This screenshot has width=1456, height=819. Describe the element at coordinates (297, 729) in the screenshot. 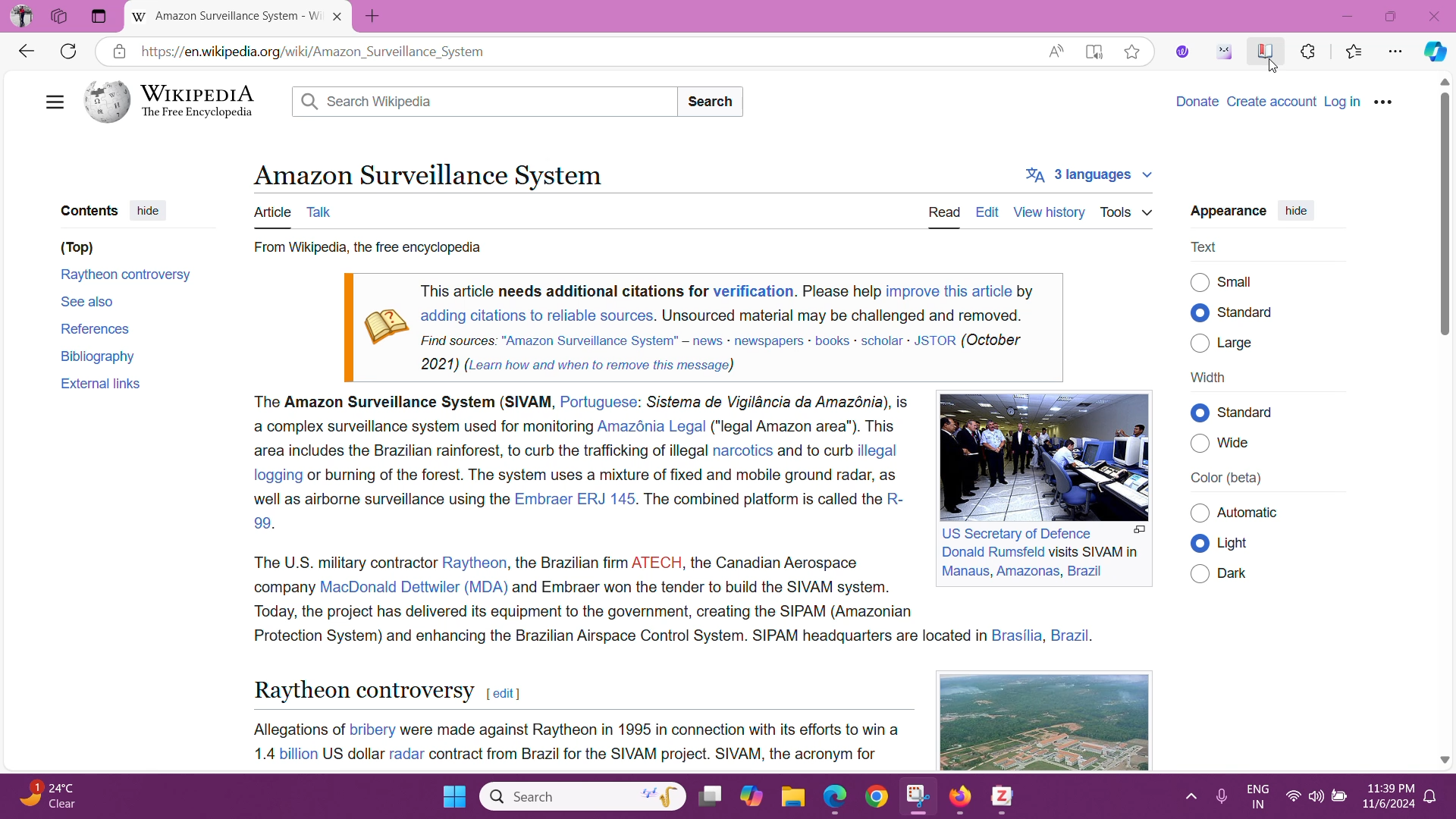

I see `Allegations of` at that location.